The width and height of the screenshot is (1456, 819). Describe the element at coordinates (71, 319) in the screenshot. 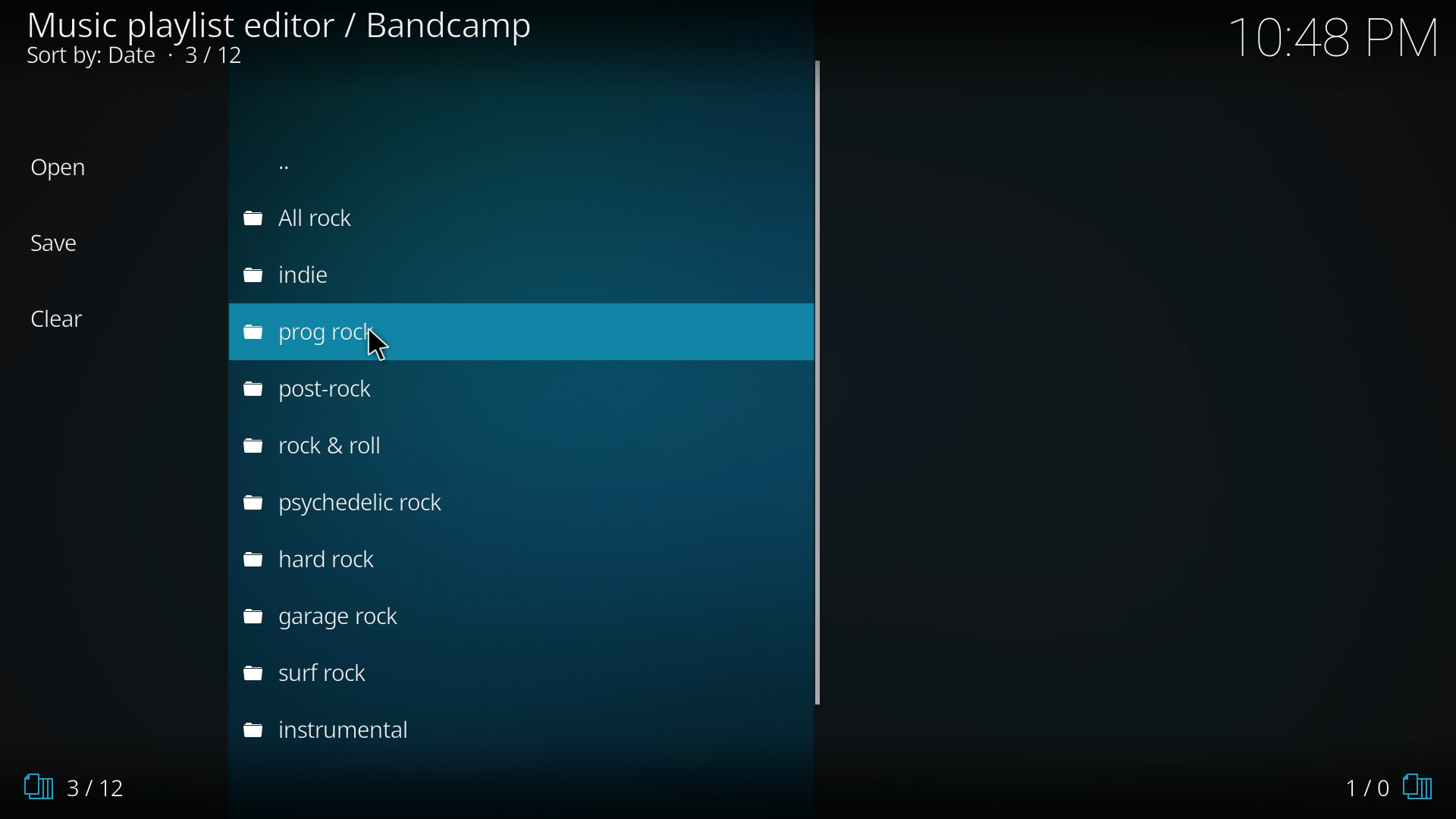

I see `Clear` at that location.